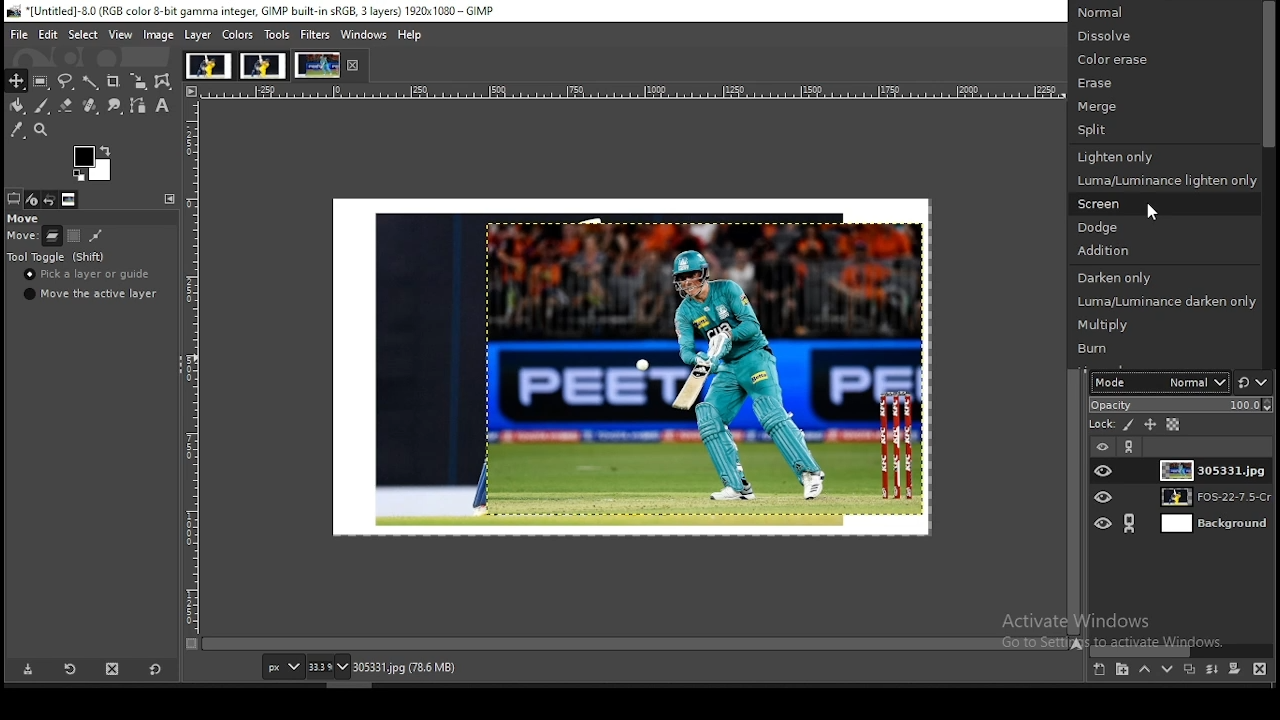  I want to click on link, so click(1131, 449).